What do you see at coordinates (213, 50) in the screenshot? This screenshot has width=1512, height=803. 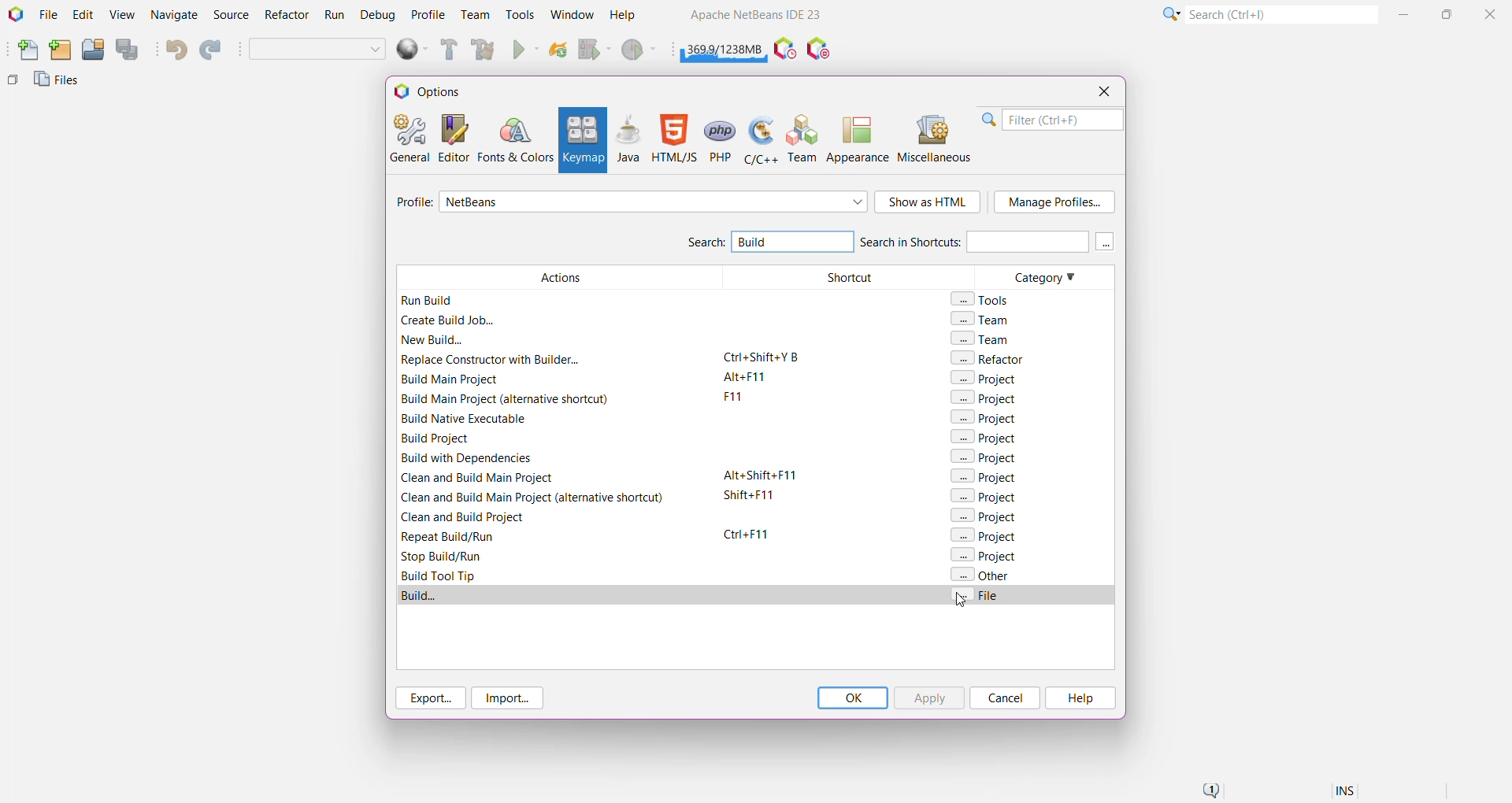 I see `Redo` at bounding box center [213, 50].